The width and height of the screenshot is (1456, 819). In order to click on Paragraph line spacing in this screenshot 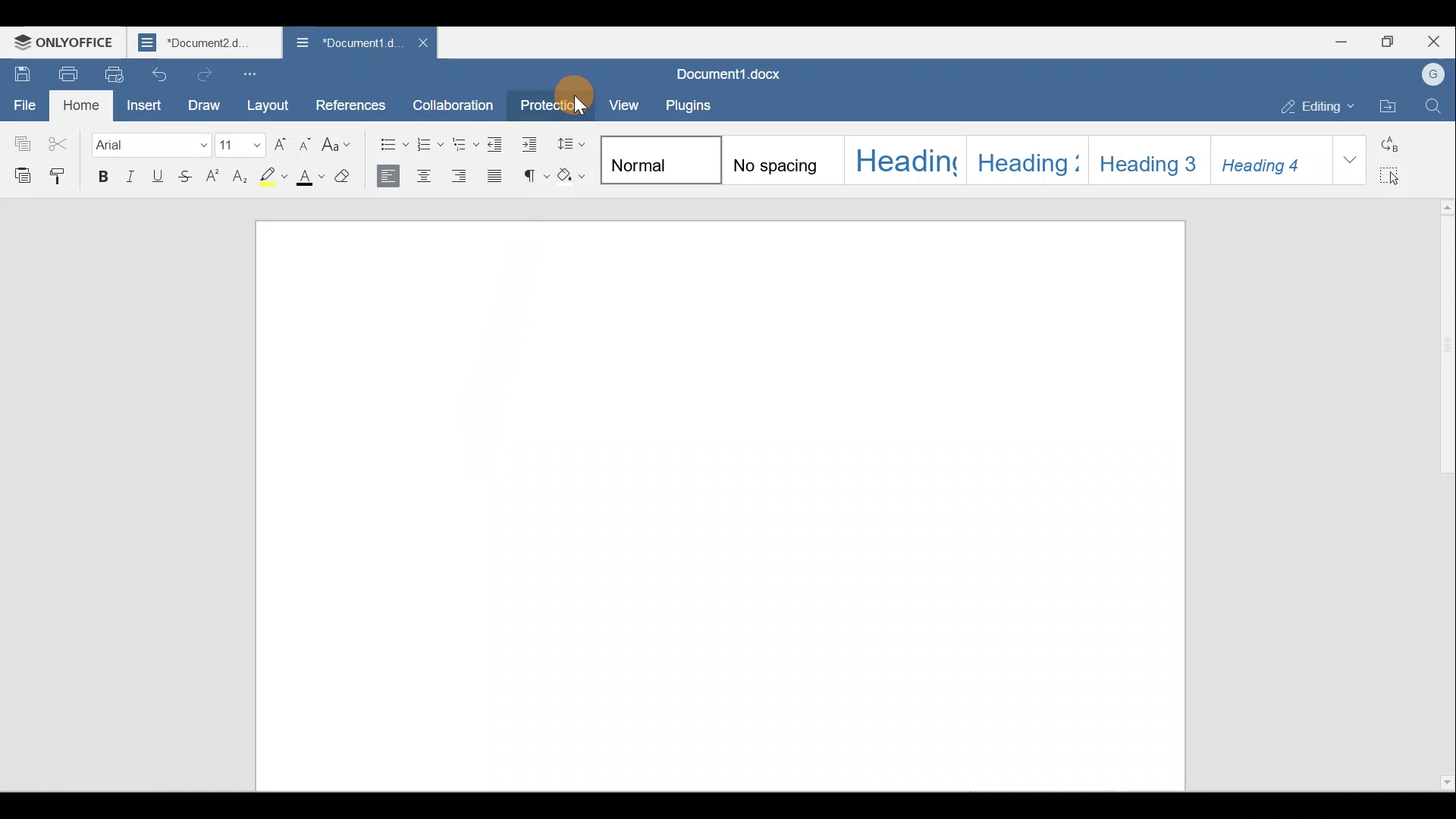, I will do `click(573, 141)`.